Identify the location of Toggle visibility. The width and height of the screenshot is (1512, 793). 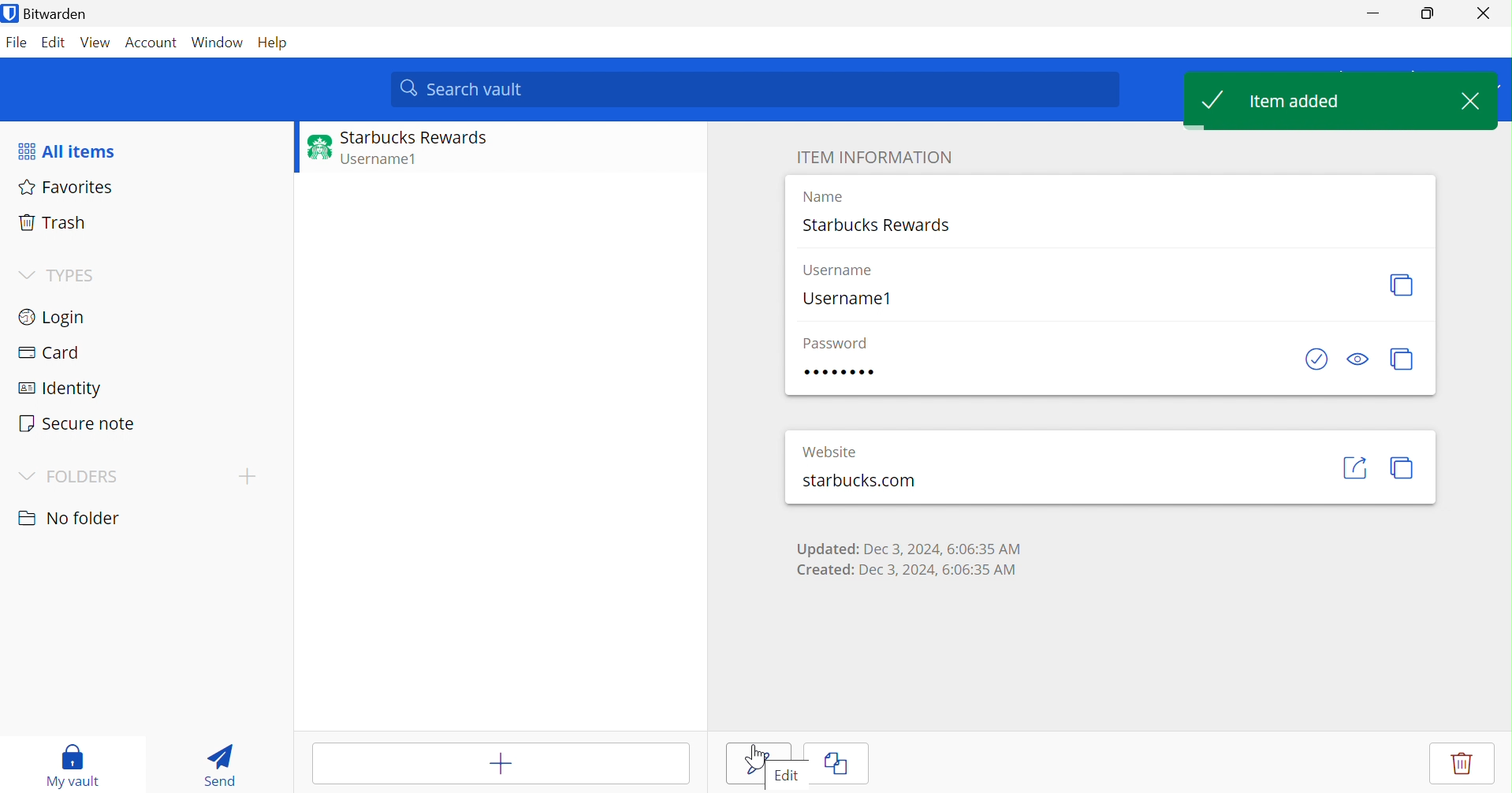
(1361, 360).